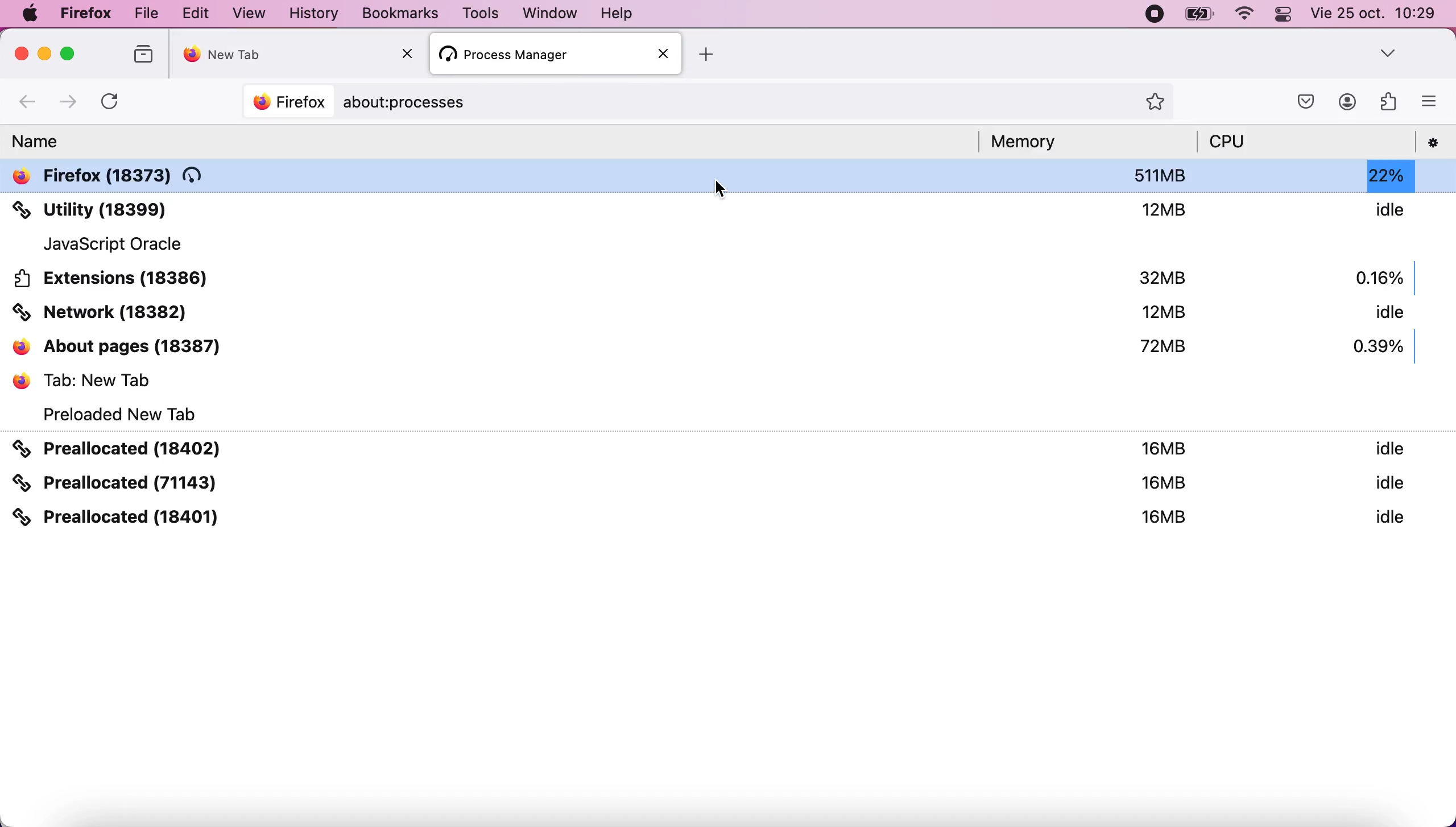 The image size is (1456, 827). I want to click on Date and time, so click(1374, 13).